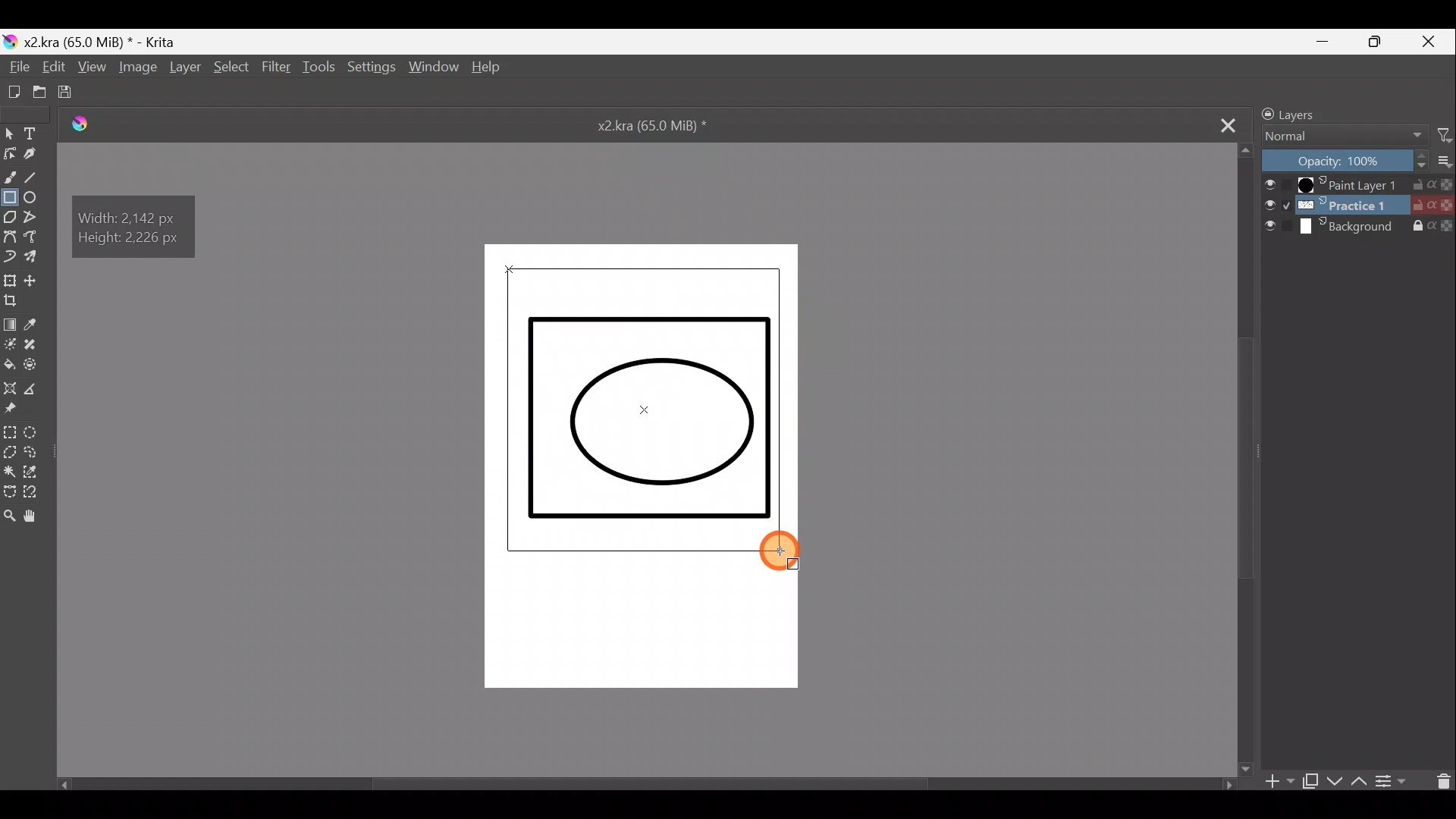 The height and width of the screenshot is (819, 1456). Describe the element at coordinates (431, 71) in the screenshot. I see `Window` at that location.